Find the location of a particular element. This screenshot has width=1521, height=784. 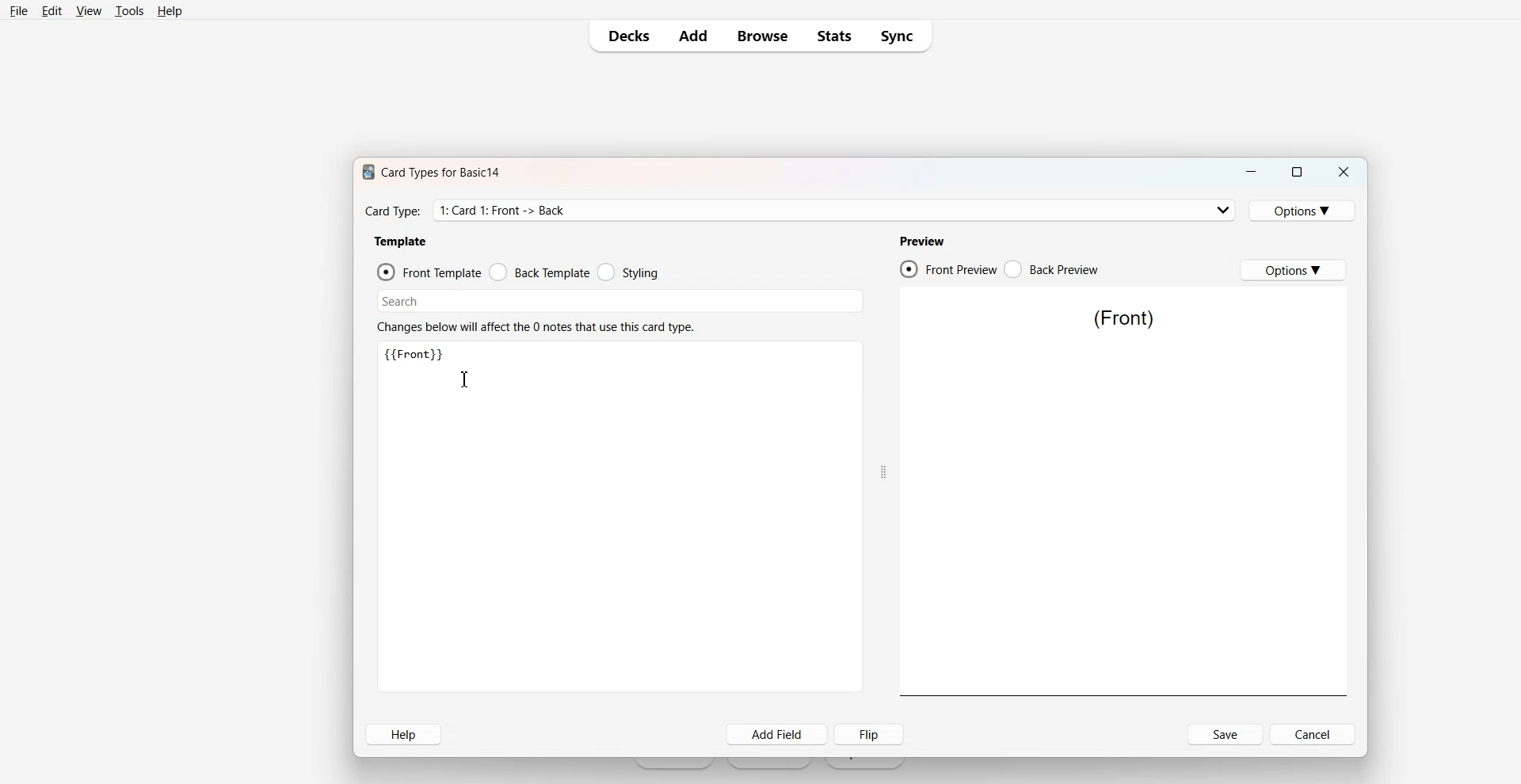

Help is located at coordinates (170, 11).